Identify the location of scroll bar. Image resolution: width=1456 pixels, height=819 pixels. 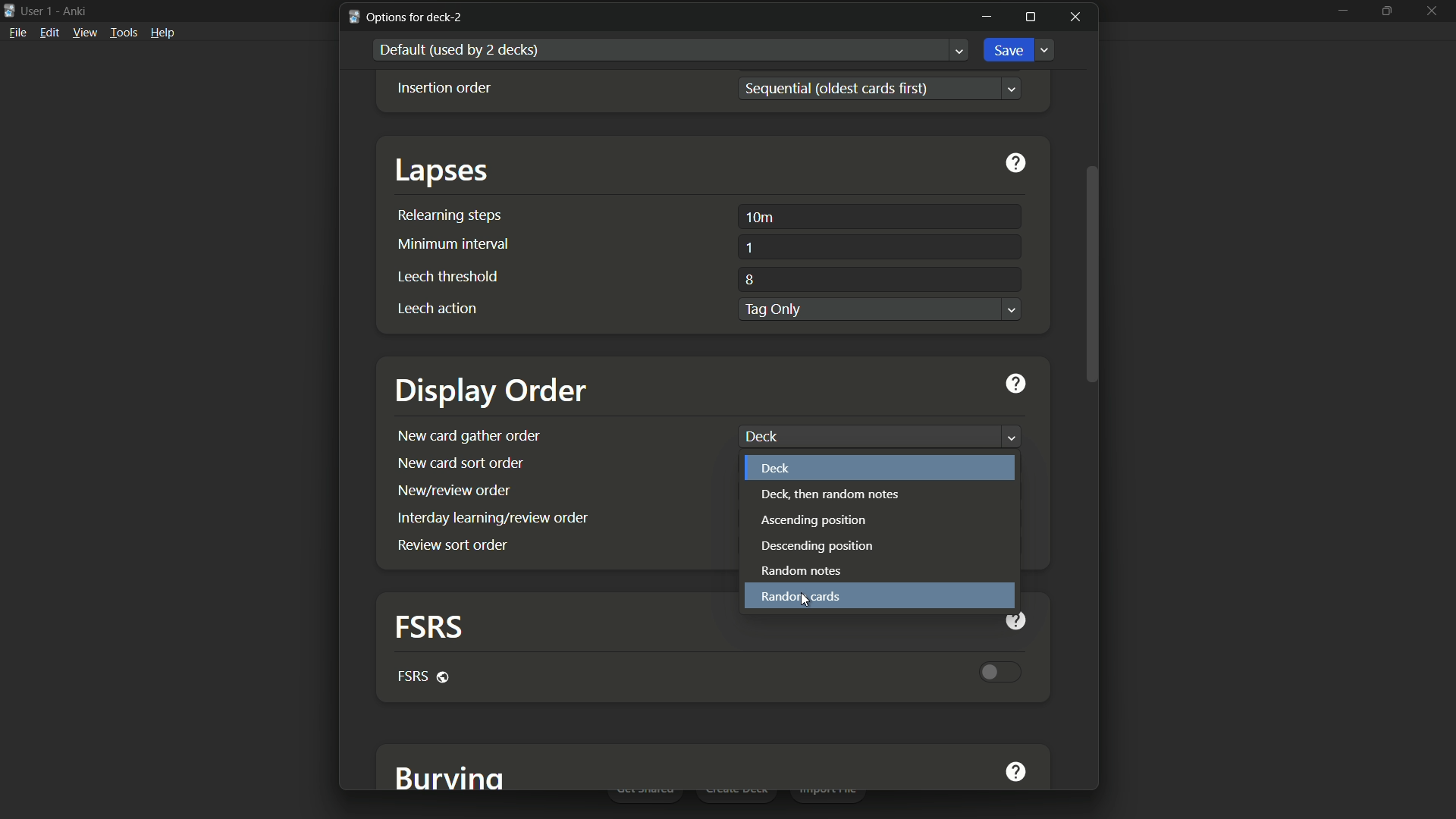
(1090, 275).